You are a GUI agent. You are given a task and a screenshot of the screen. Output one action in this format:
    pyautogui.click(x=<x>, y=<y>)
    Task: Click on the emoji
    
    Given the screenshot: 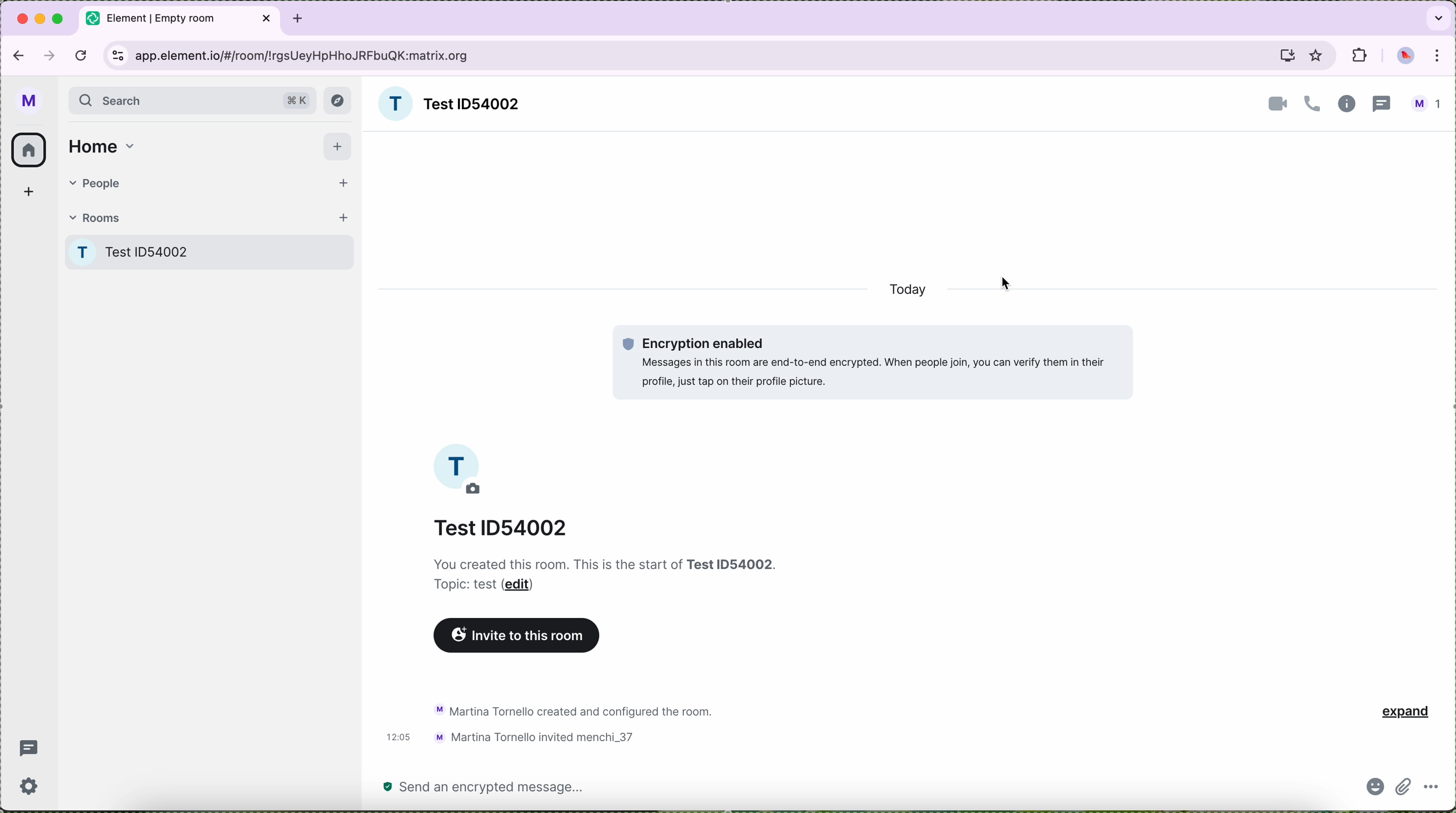 What is the action you would take?
    pyautogui.click(x=1376, y=788)
    